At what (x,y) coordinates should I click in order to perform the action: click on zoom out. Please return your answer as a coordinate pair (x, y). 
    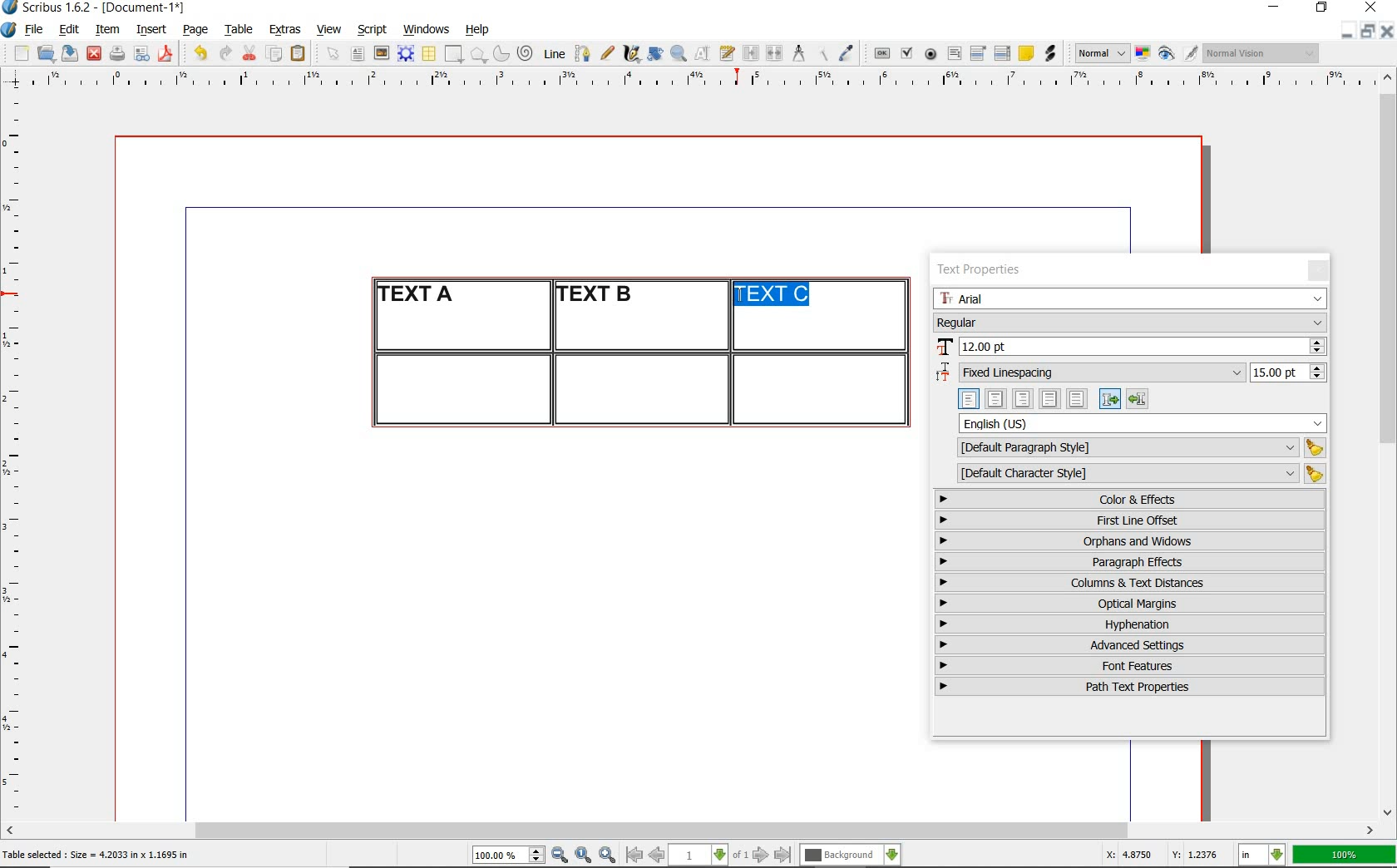
    Looking at the image, I should click on (560, 856).